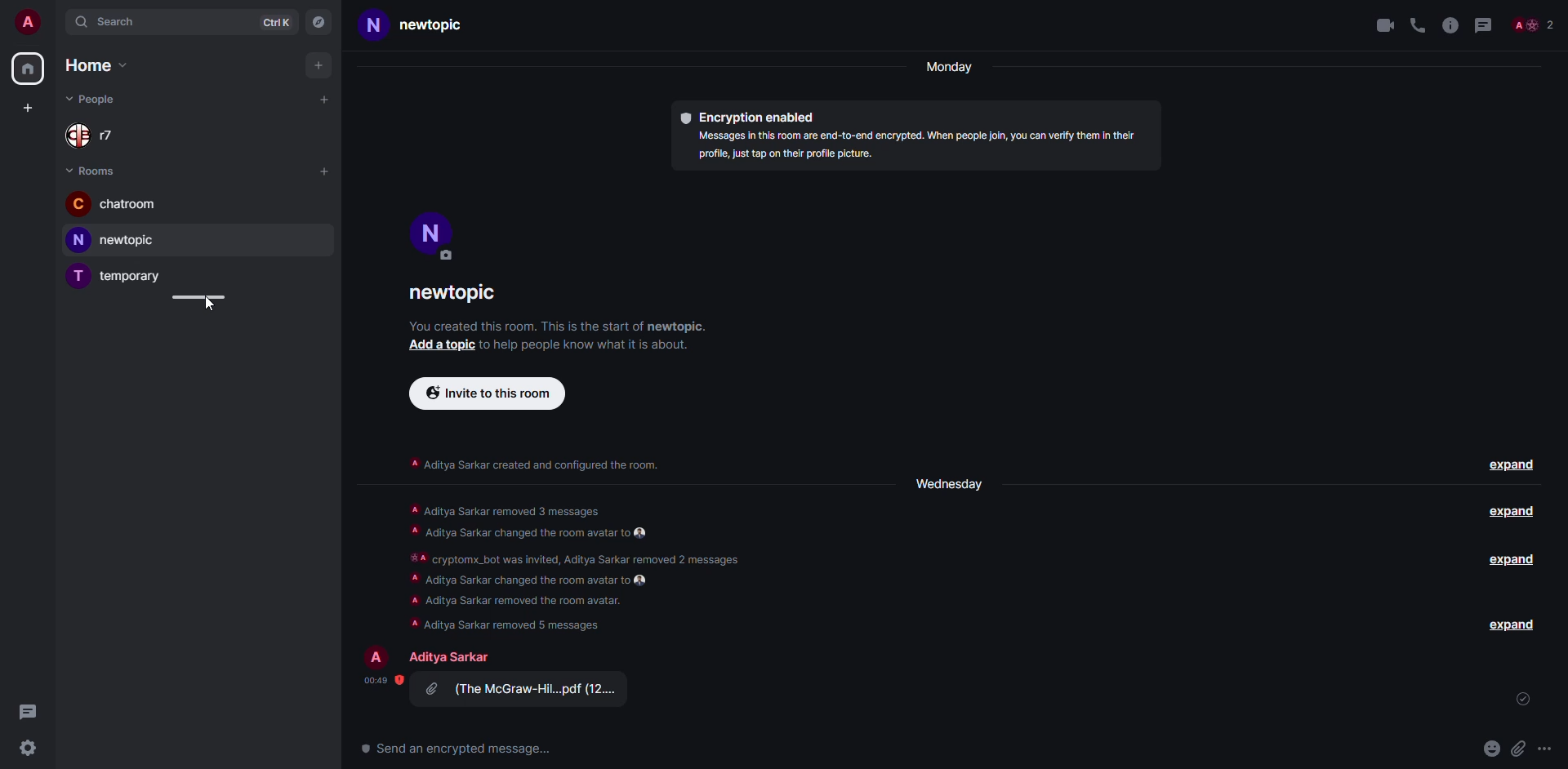 Image resolution: width=1568 pixels, height=769 pixels. What do you see at coordinates (946, 69) in the screenshot?
I see `Monday` at bounding box center [946, 69].